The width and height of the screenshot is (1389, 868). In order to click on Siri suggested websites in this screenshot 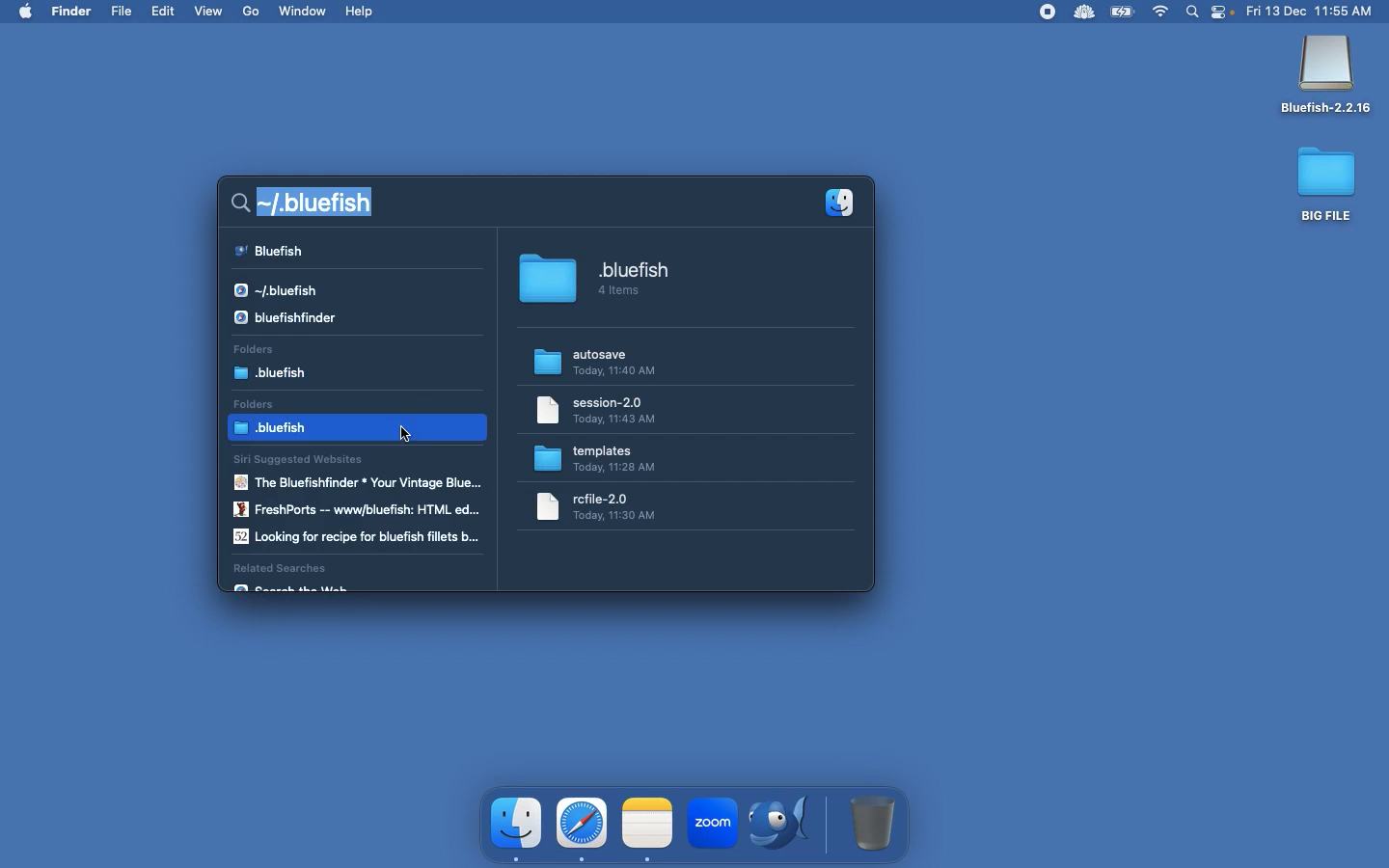, I will do `click(359, 502)`.